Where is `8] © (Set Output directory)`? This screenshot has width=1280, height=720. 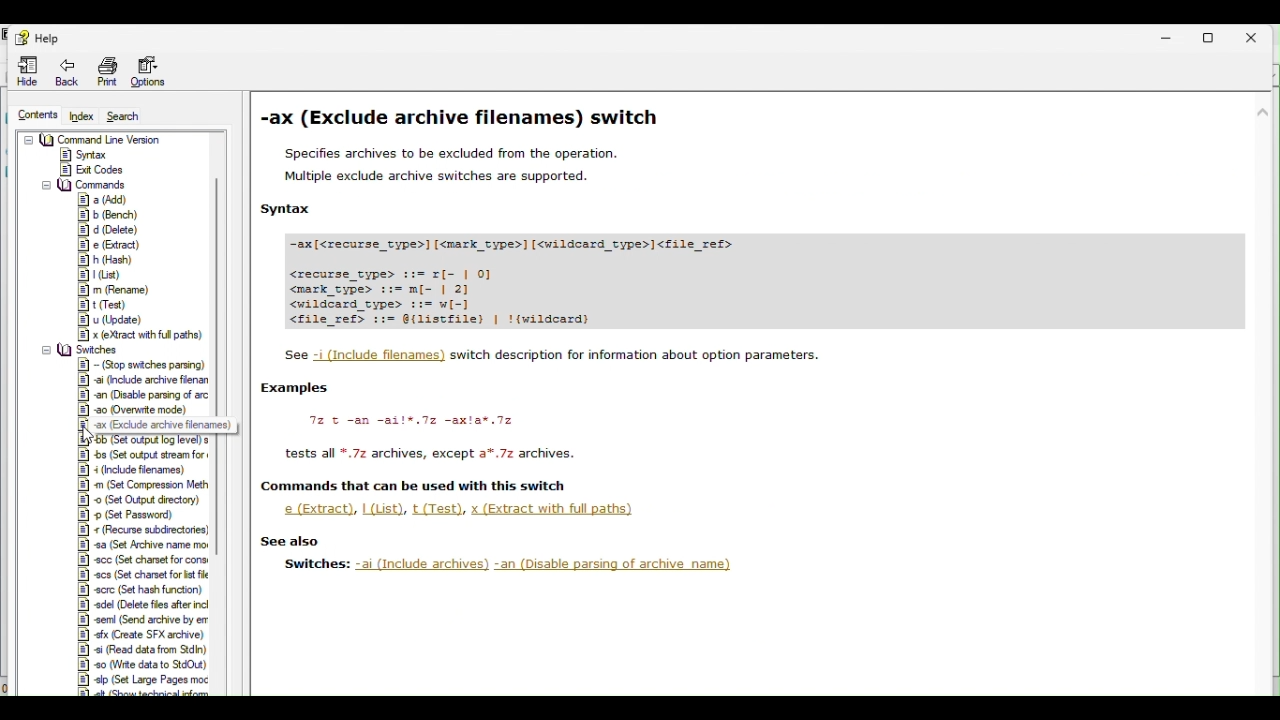 8] © (Set Output directory) is located at coordinates (142, 500).